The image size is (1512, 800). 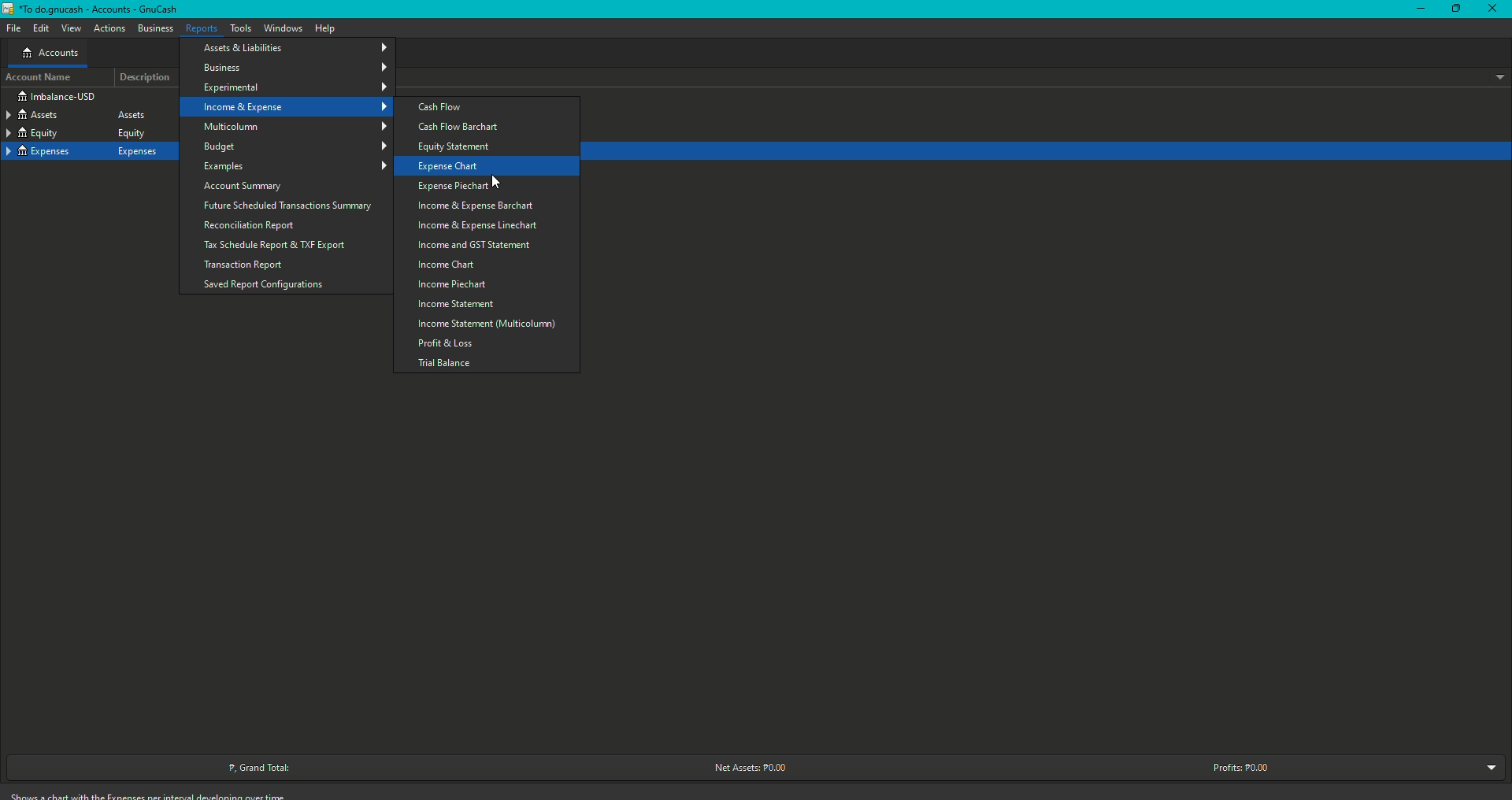 I want to click on Edit, so click(x=39, y=27).